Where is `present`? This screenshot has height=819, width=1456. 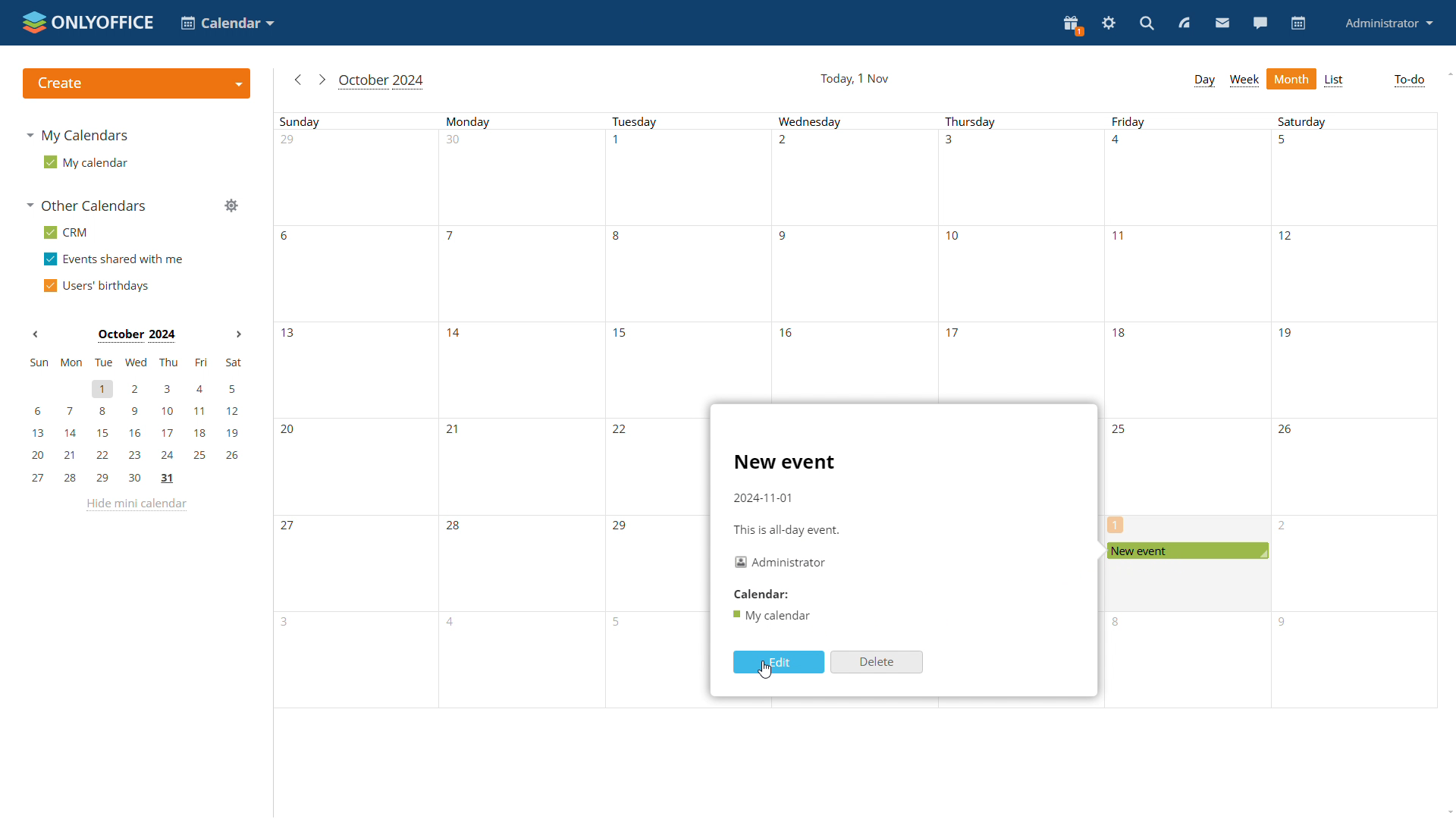
present is located at coordinates (1072, 24).